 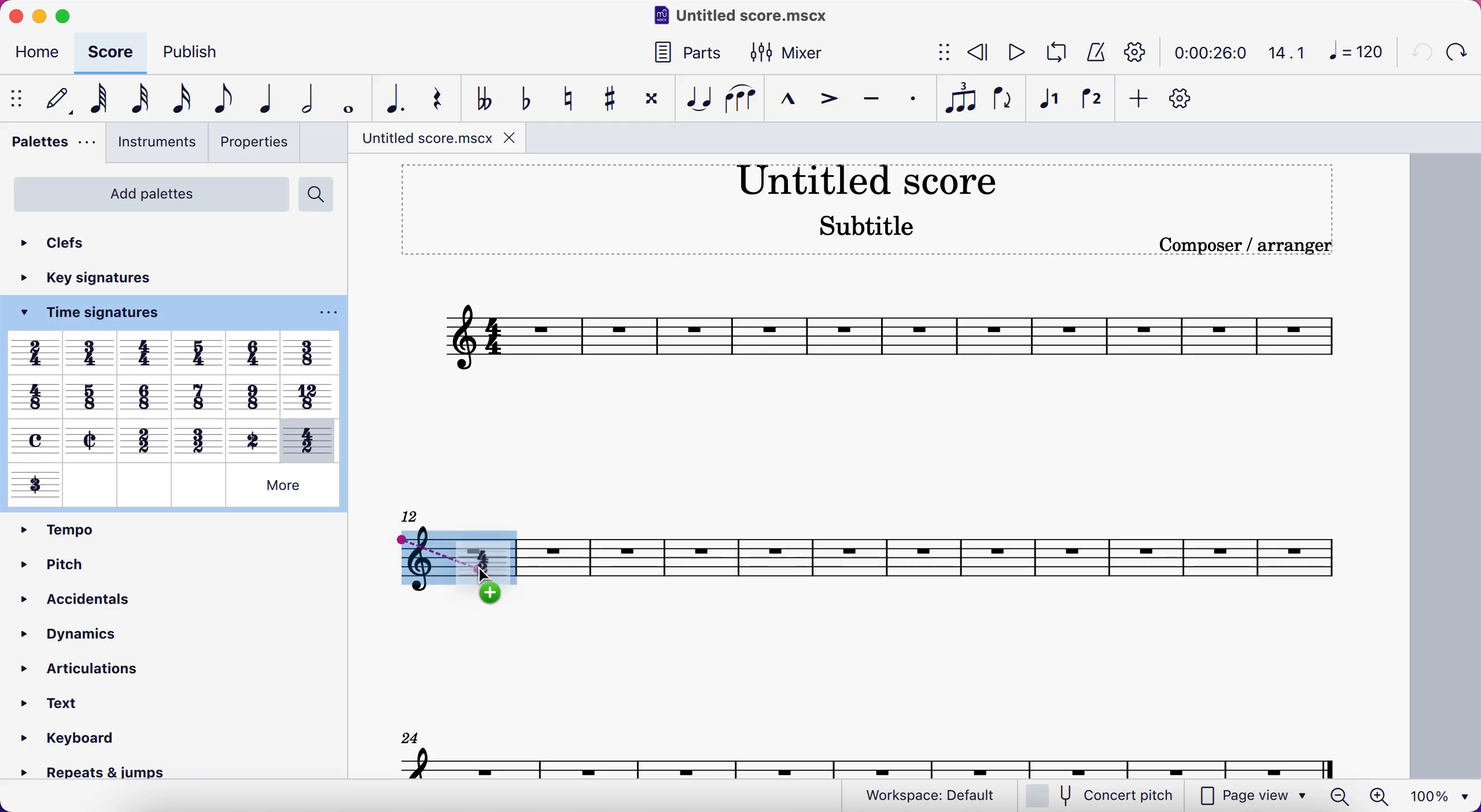 I want to click on whole note, so click(x=349, y=98).